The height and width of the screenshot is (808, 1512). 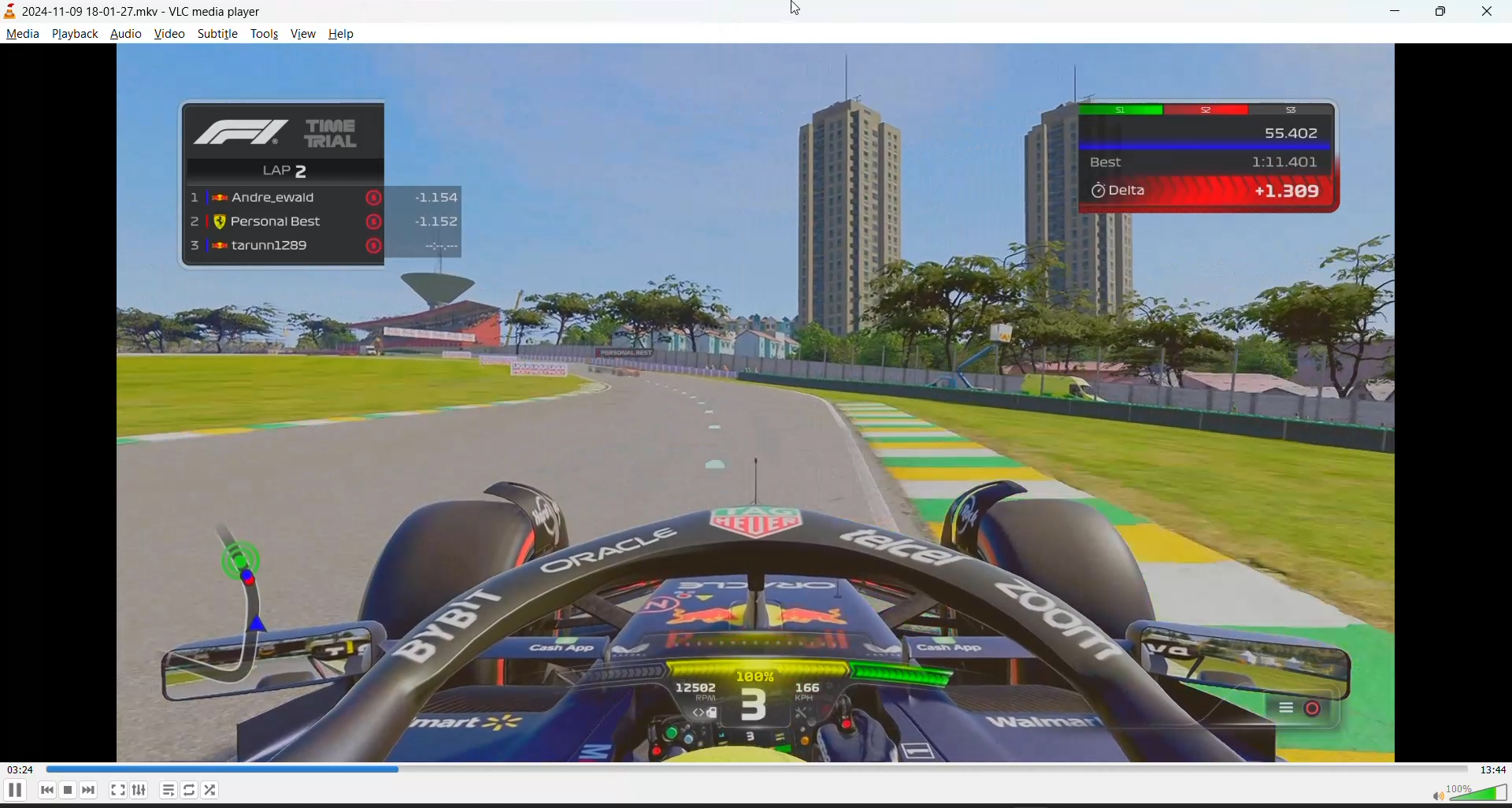 What do you see at coordinates (90, 790) in the screenshot?
I see `next` at bounding box center [90, 790].